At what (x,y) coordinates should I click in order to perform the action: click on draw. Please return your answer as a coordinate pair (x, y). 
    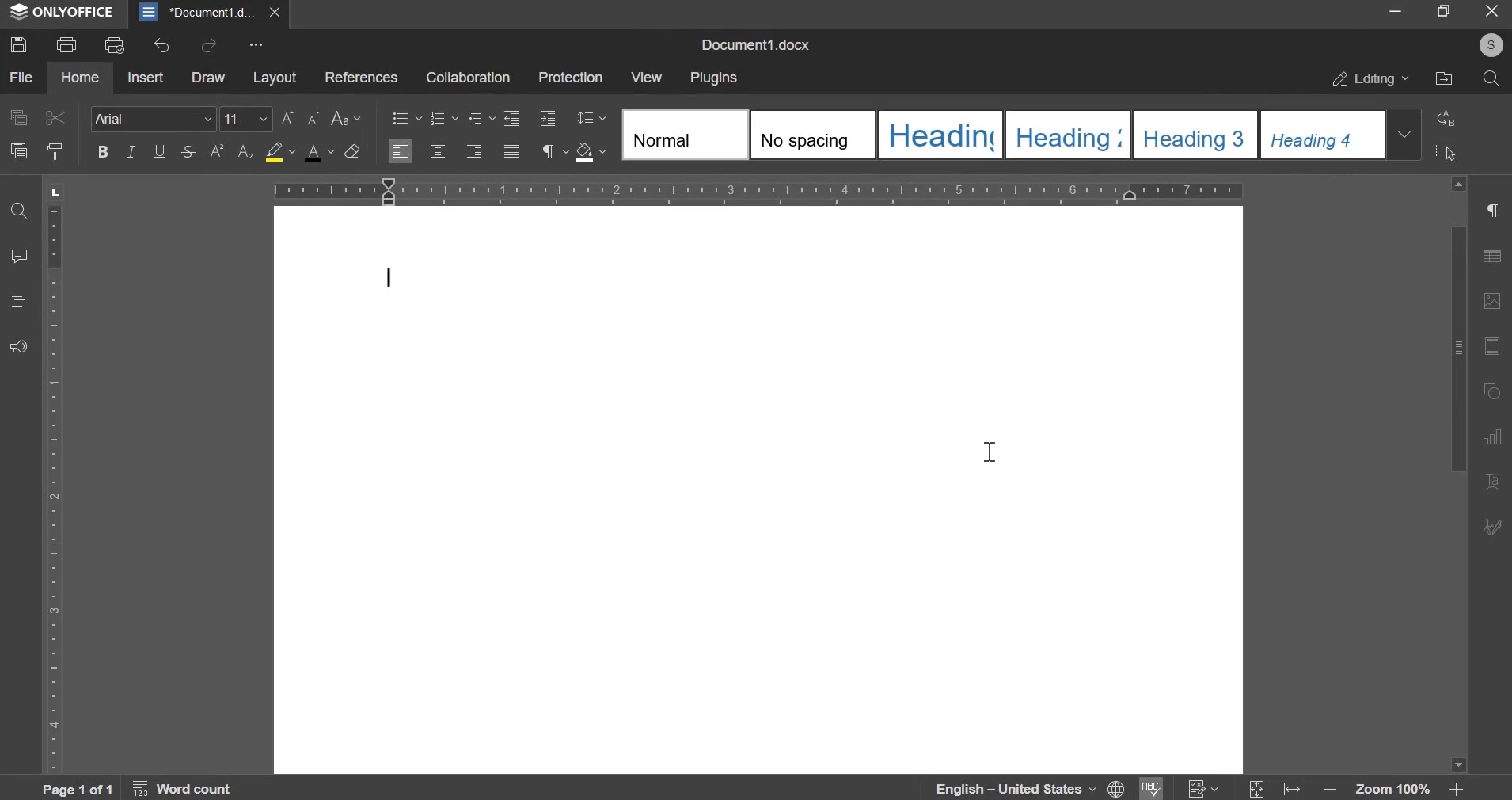
    Looking at the image, I should click on (208, 78).